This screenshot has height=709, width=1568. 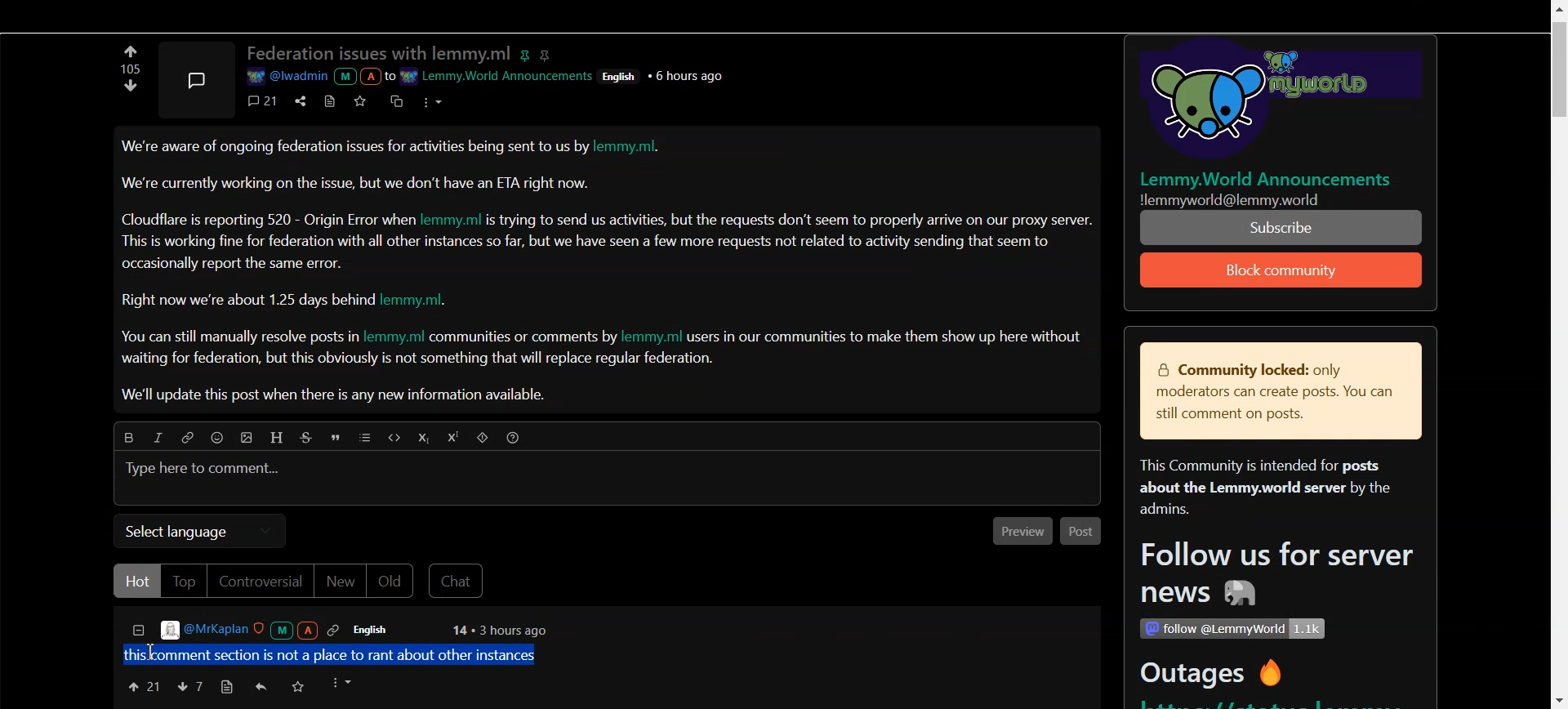 What do you see at coordinates (392, 437) in the screenshot?
I see `Code` at bounding box center [392, 437].